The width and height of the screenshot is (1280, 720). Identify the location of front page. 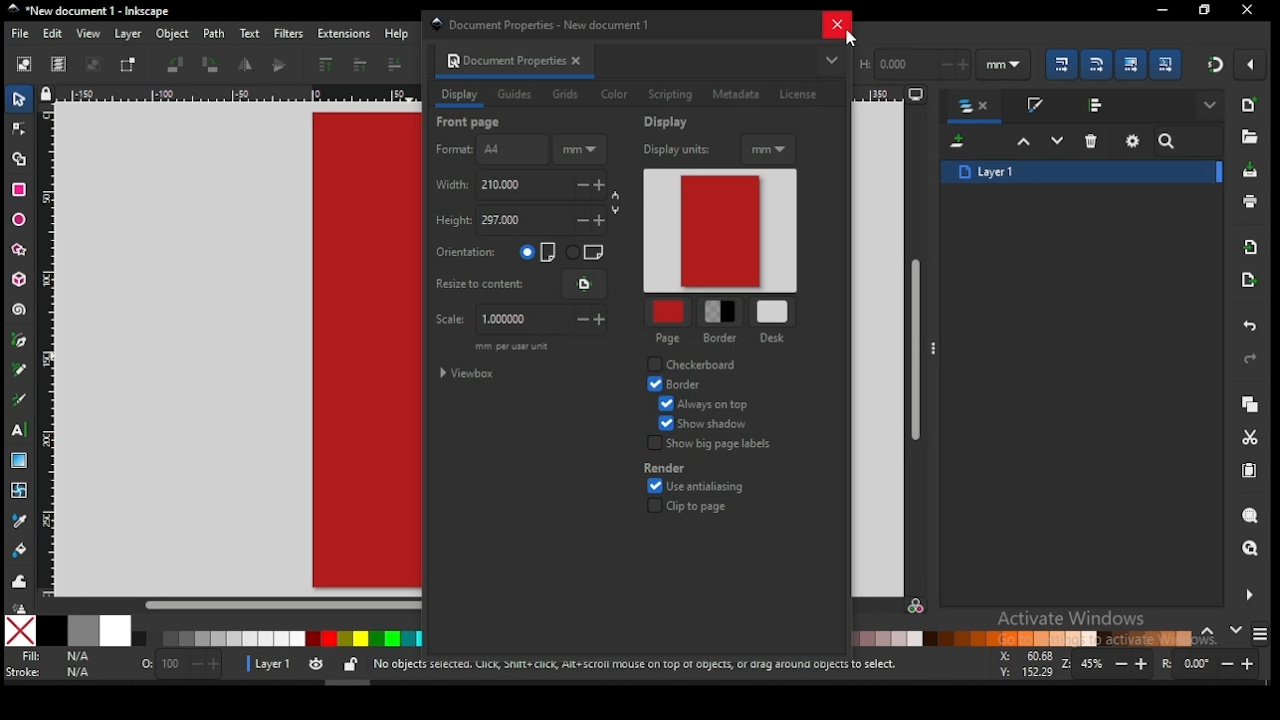
(470, 122).